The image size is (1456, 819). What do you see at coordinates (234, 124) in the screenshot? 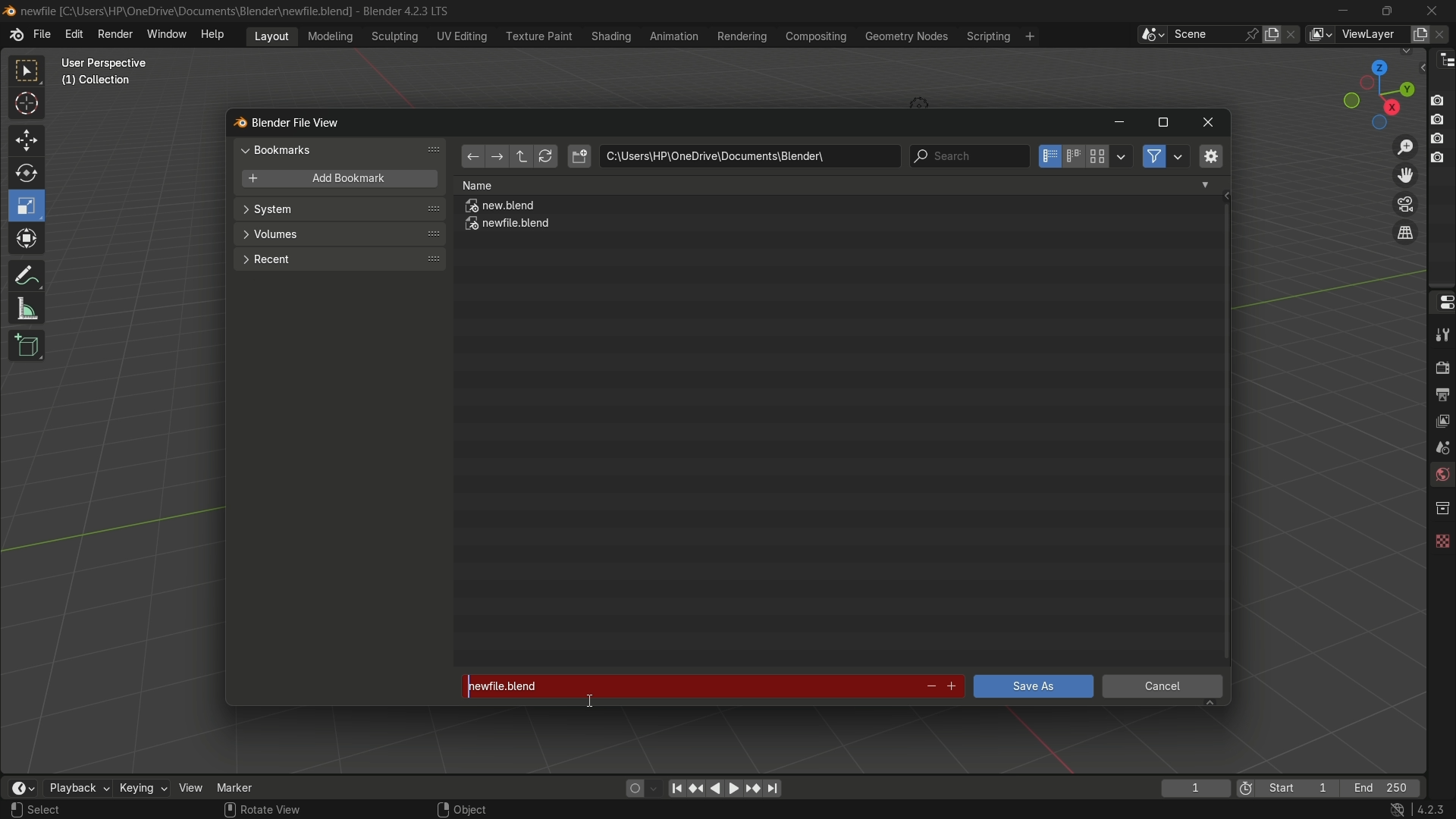
I see `blend logo` at bounding box center [234, 124].